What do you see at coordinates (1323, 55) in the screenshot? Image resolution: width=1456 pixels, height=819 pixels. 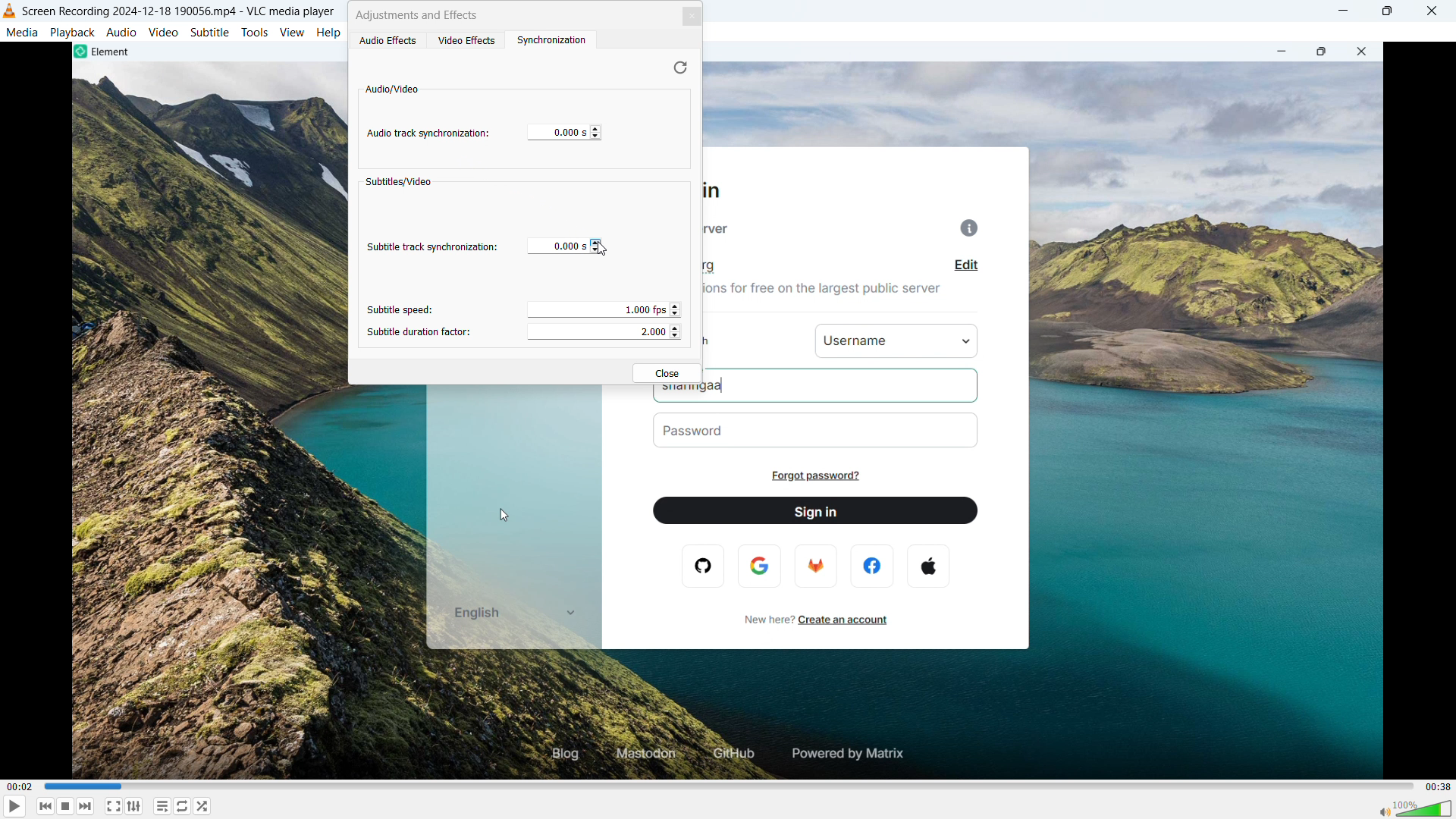 I see `maximize` at bounding box center [1323, 55].